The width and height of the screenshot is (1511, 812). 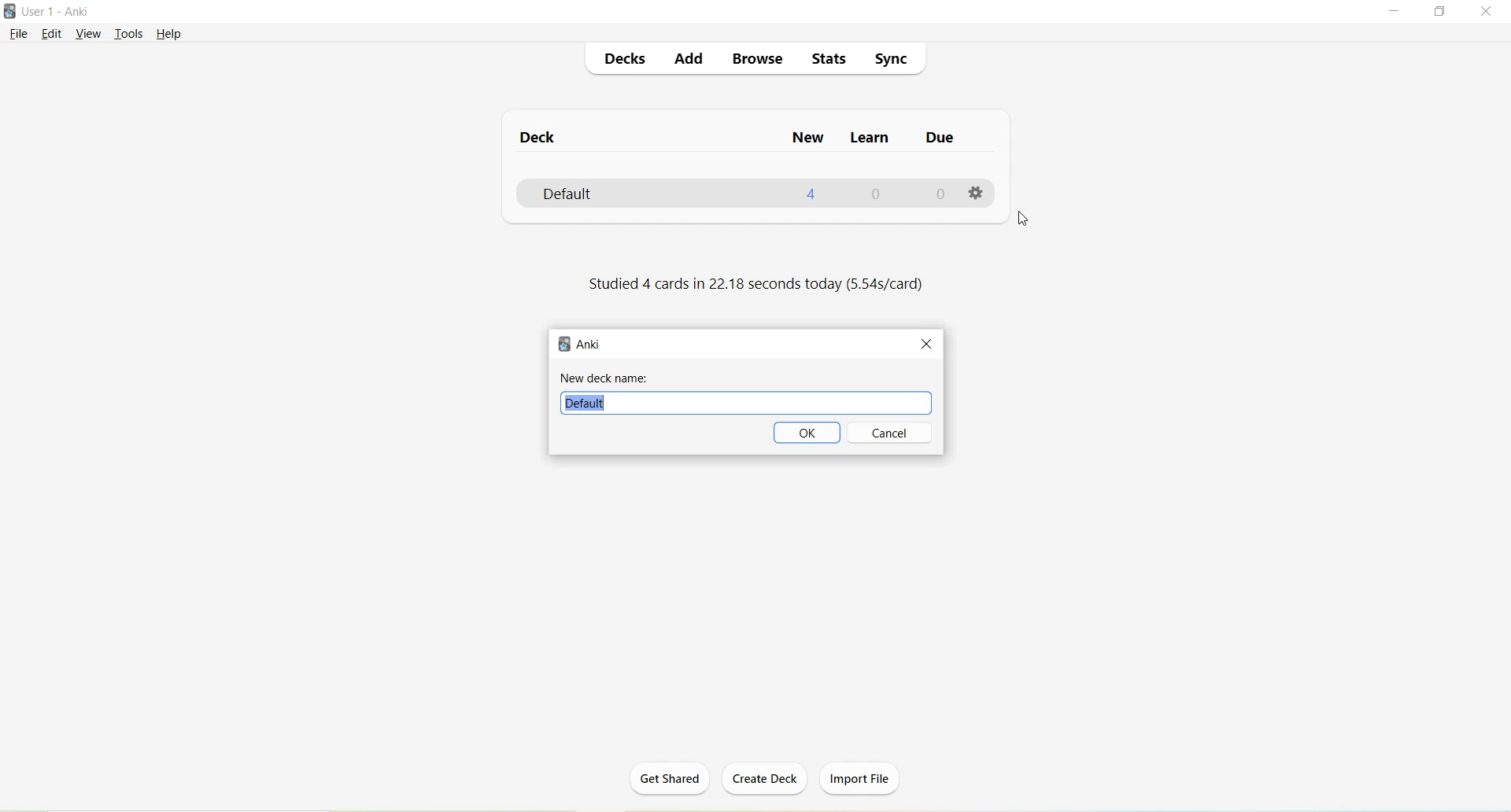 I want to click on Tools, so click(x=128, y=35).